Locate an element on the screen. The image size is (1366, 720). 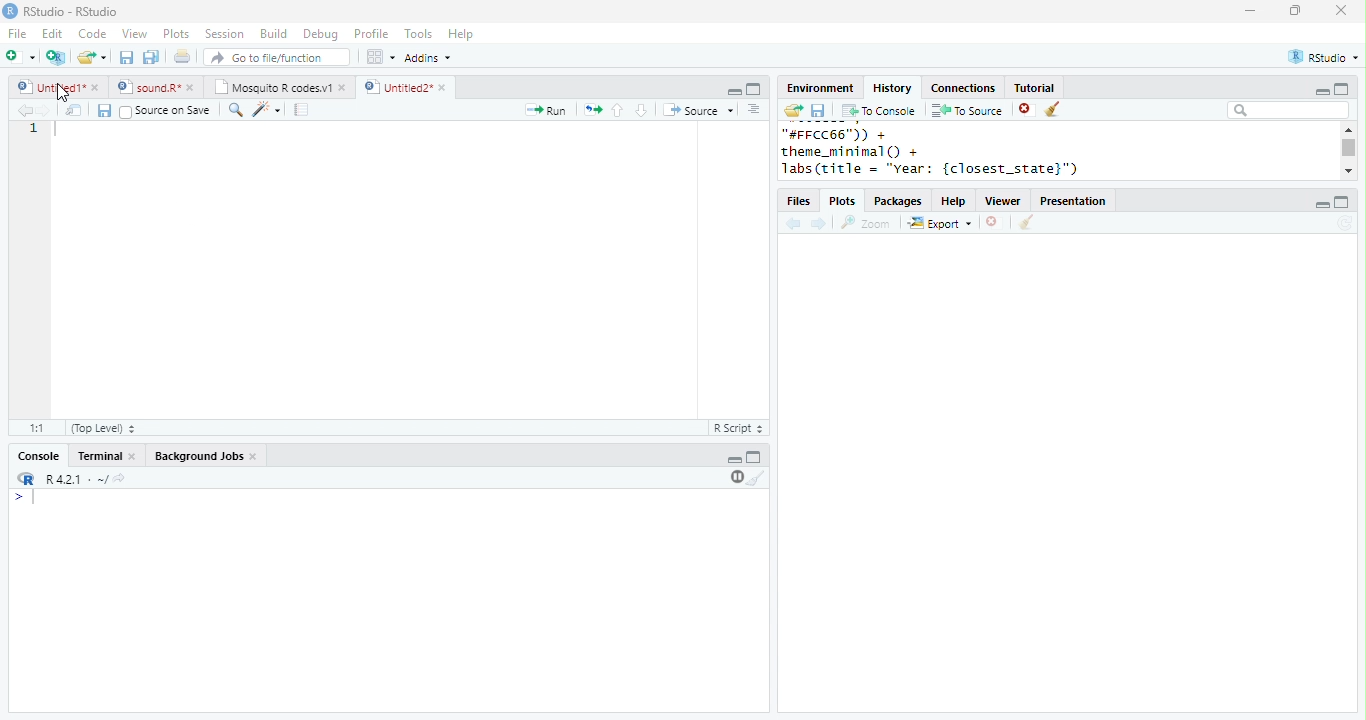
Tutorial is located at coordinates (1035, 88).